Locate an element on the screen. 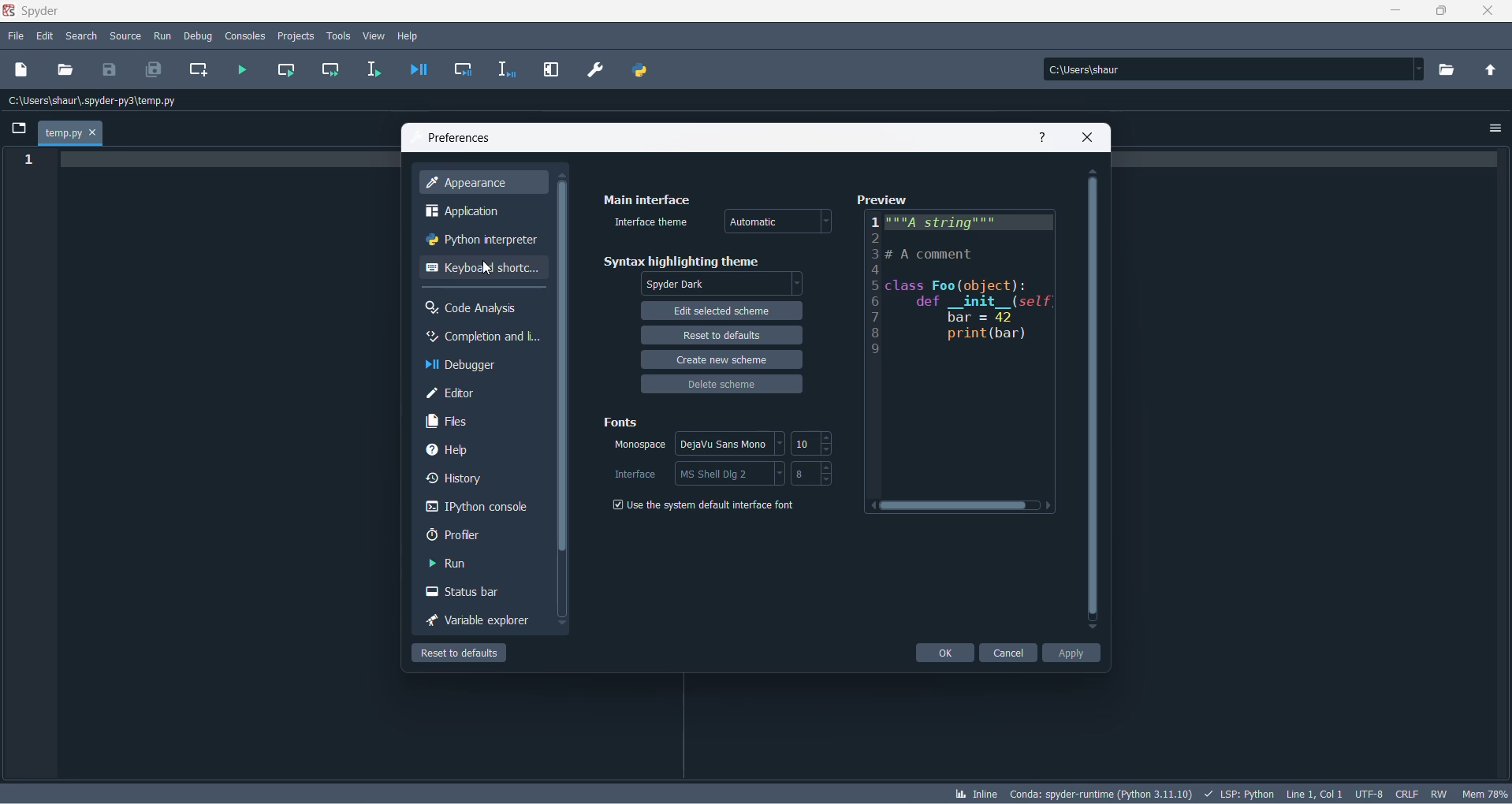 Image resolution: width=1512 pixels, height=804 pixels. increment is located at coordinates (828, 440).